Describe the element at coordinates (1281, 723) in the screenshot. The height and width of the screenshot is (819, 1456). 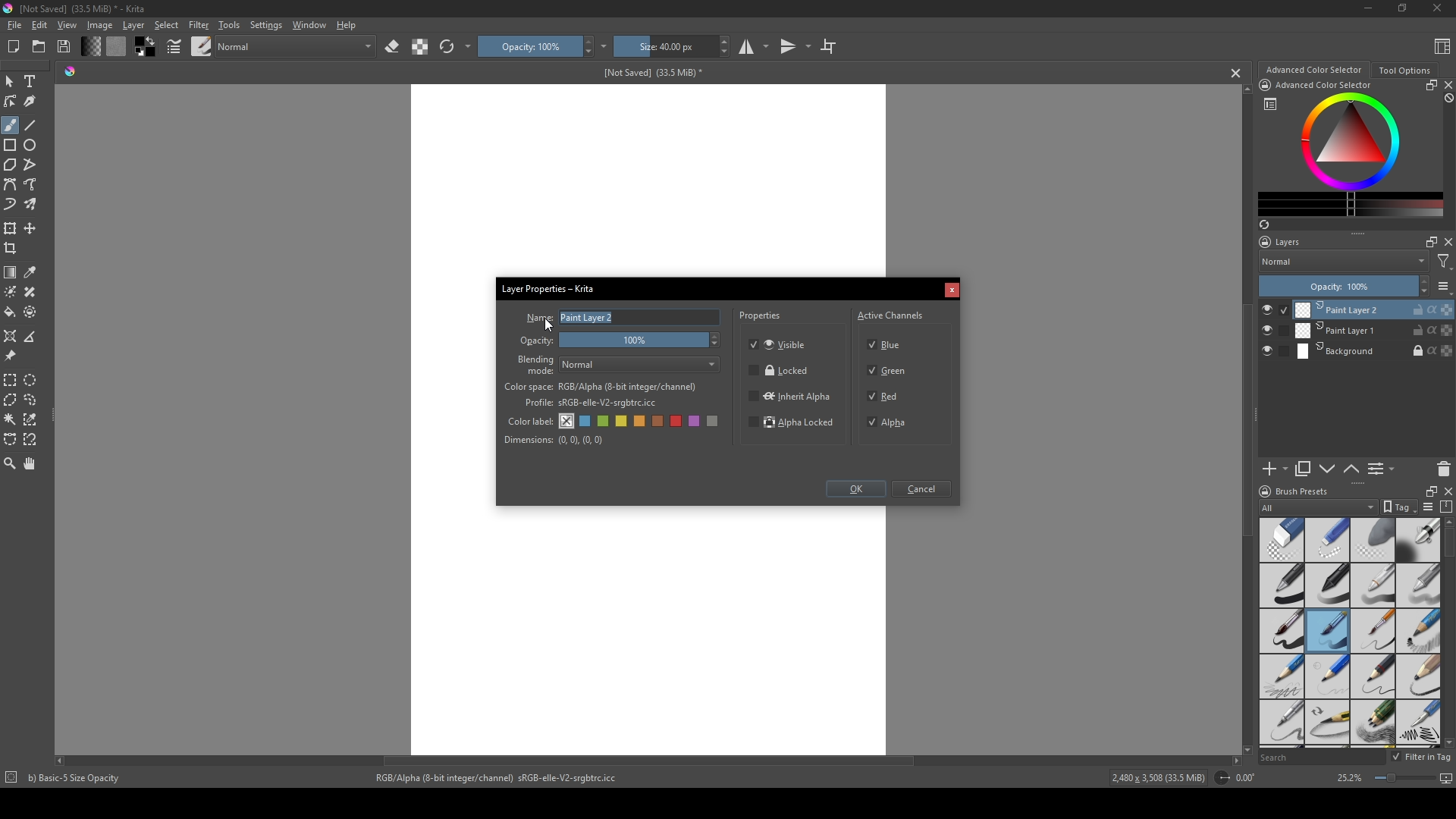
I see `sharp pencil` at that location.